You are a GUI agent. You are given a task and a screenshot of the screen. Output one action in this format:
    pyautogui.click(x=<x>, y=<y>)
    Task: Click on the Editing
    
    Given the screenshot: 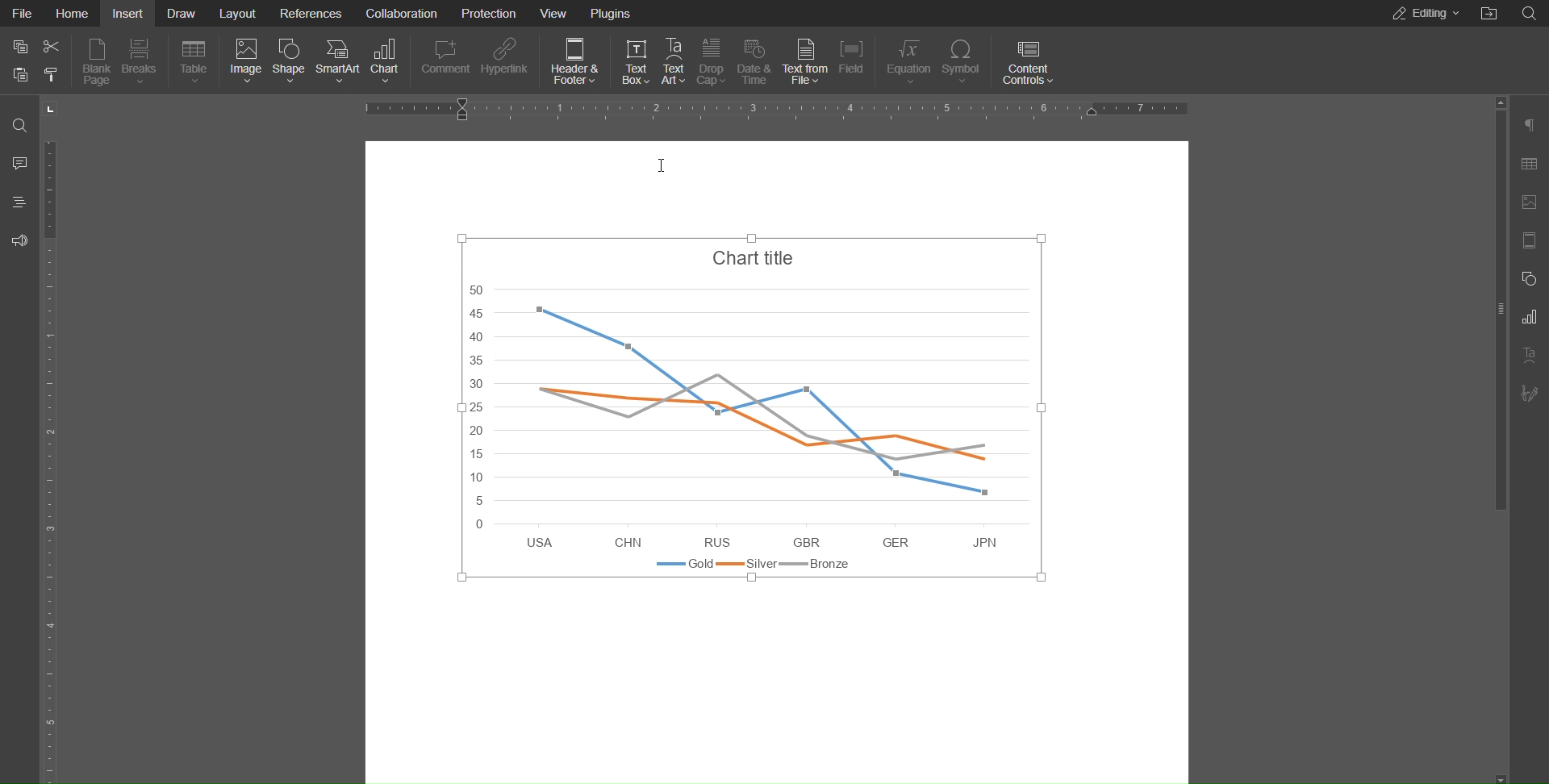 What is the action you would take?
    pyautogui.click(x=1426, y=13)
    